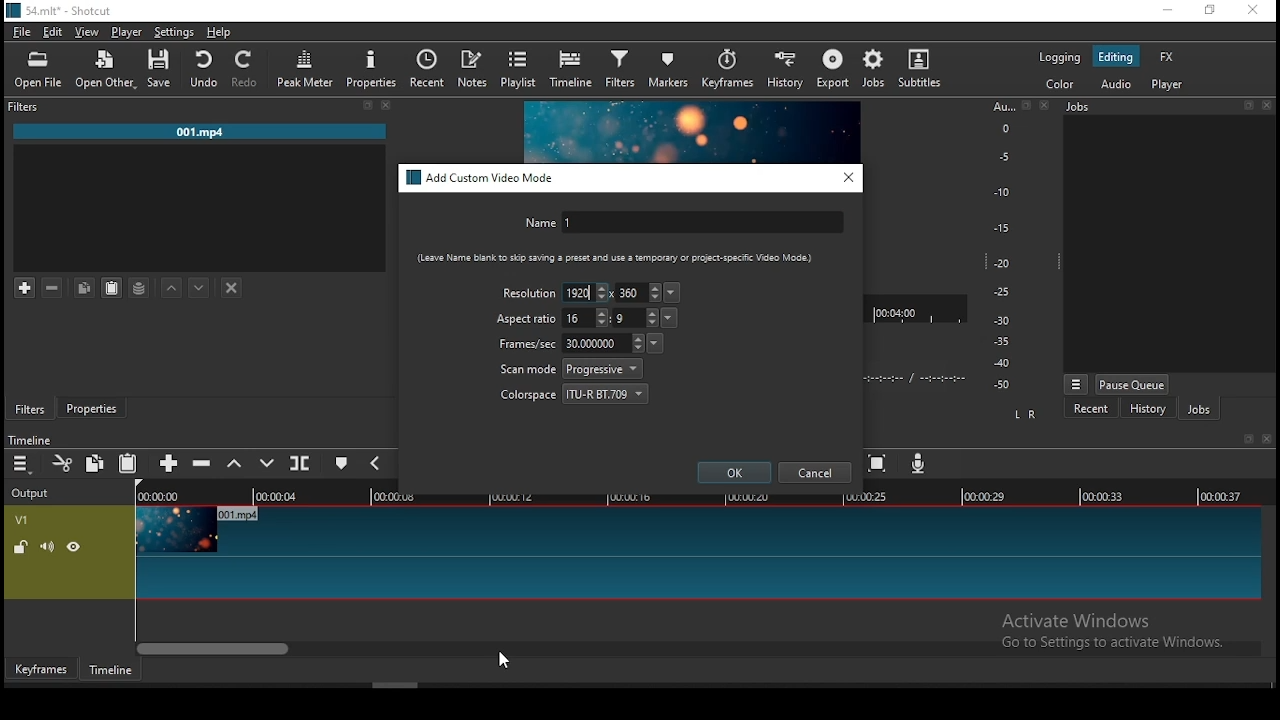 The width and height of the screenshot is (1280, 720). Describe the element at coordinates (20, 520) in the screenshot. I see `V1` at that location.